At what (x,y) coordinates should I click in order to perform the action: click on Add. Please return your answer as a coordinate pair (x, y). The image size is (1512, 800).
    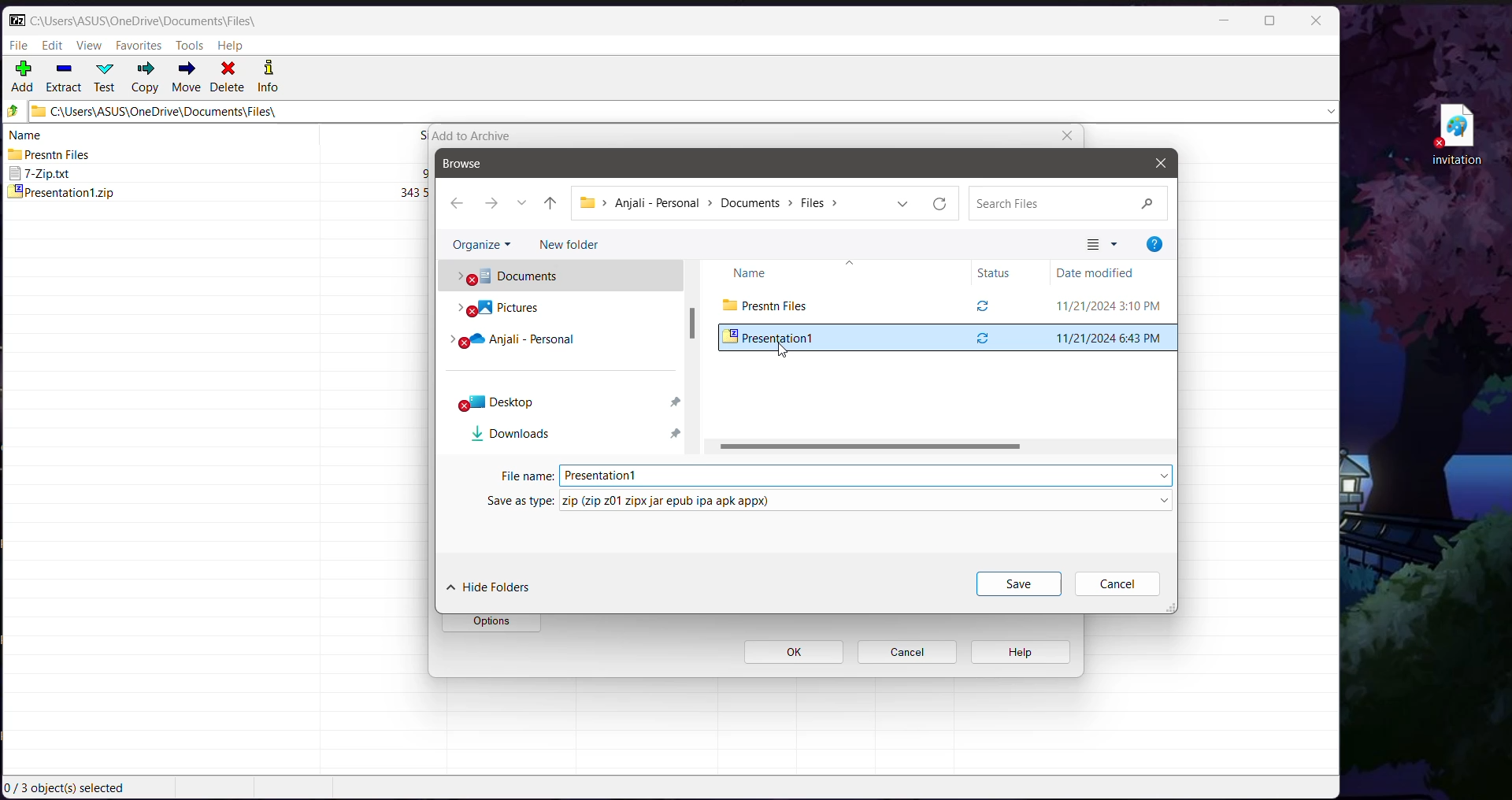
    Looking at the image, I should click on (24, 78).